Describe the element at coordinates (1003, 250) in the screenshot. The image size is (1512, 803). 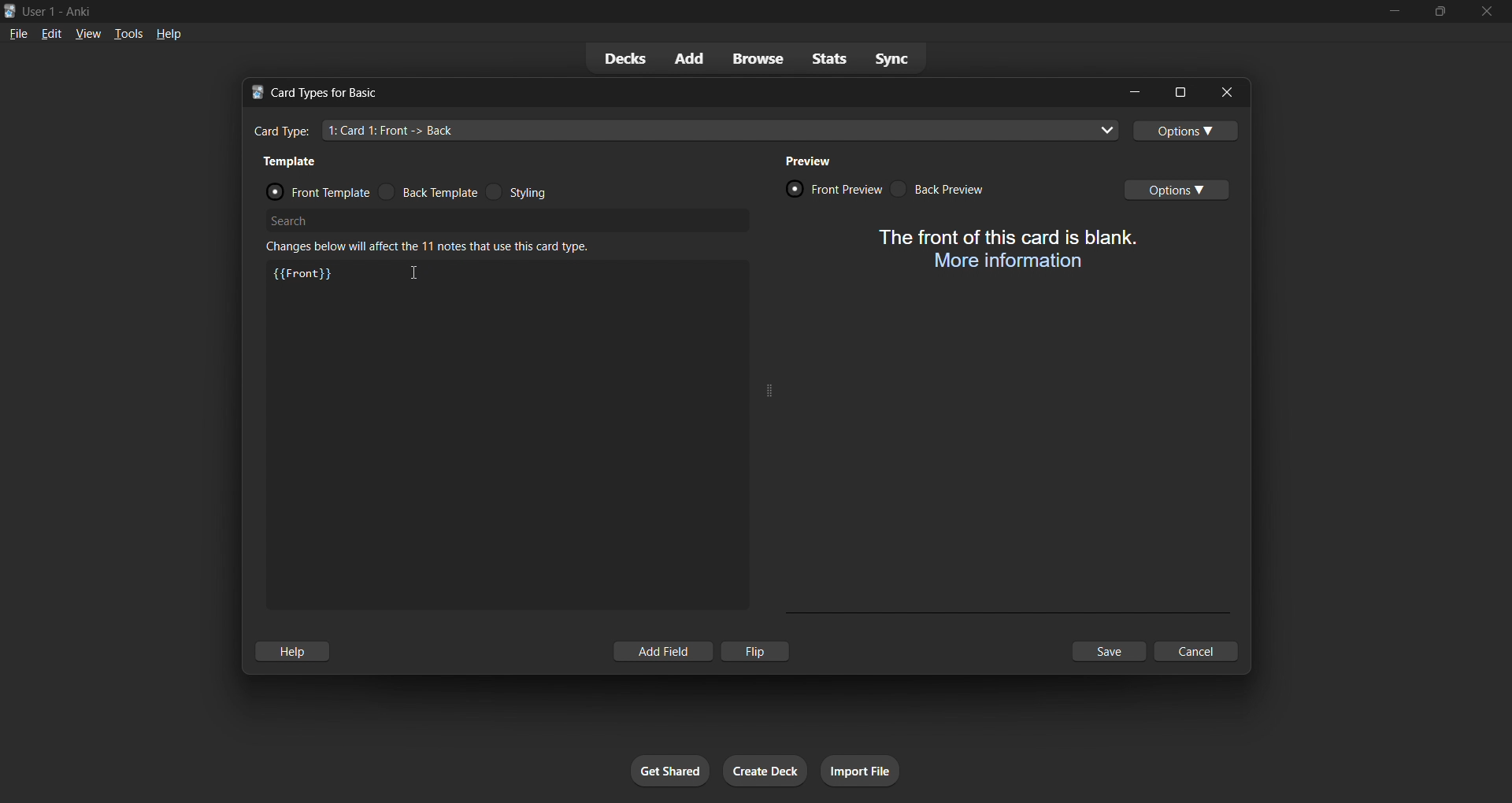
I see `card preview` at that location.